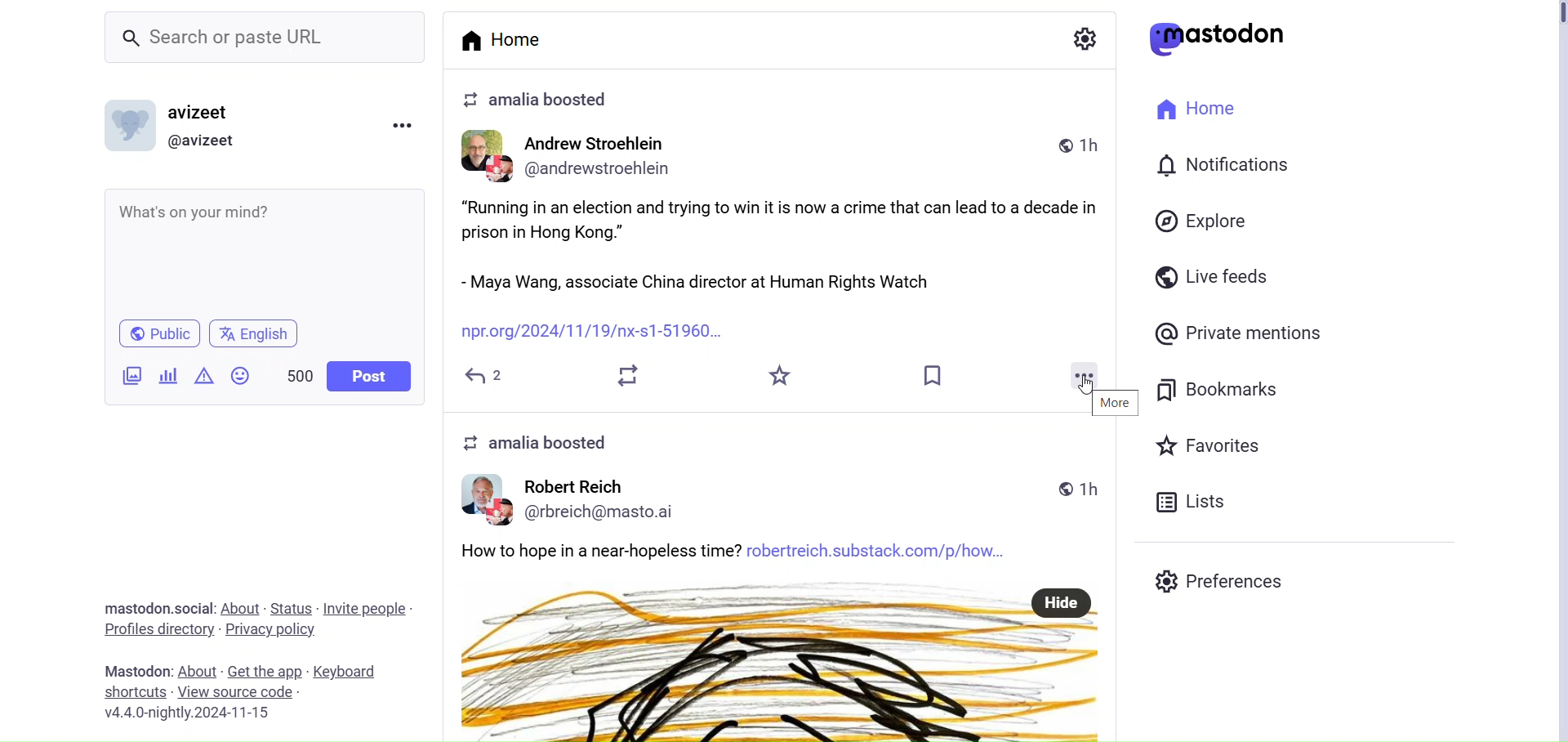  What do you see at coordinates (1093, 387) in the screenshot?
I see `cursor` at bounding box center [1093, 387].